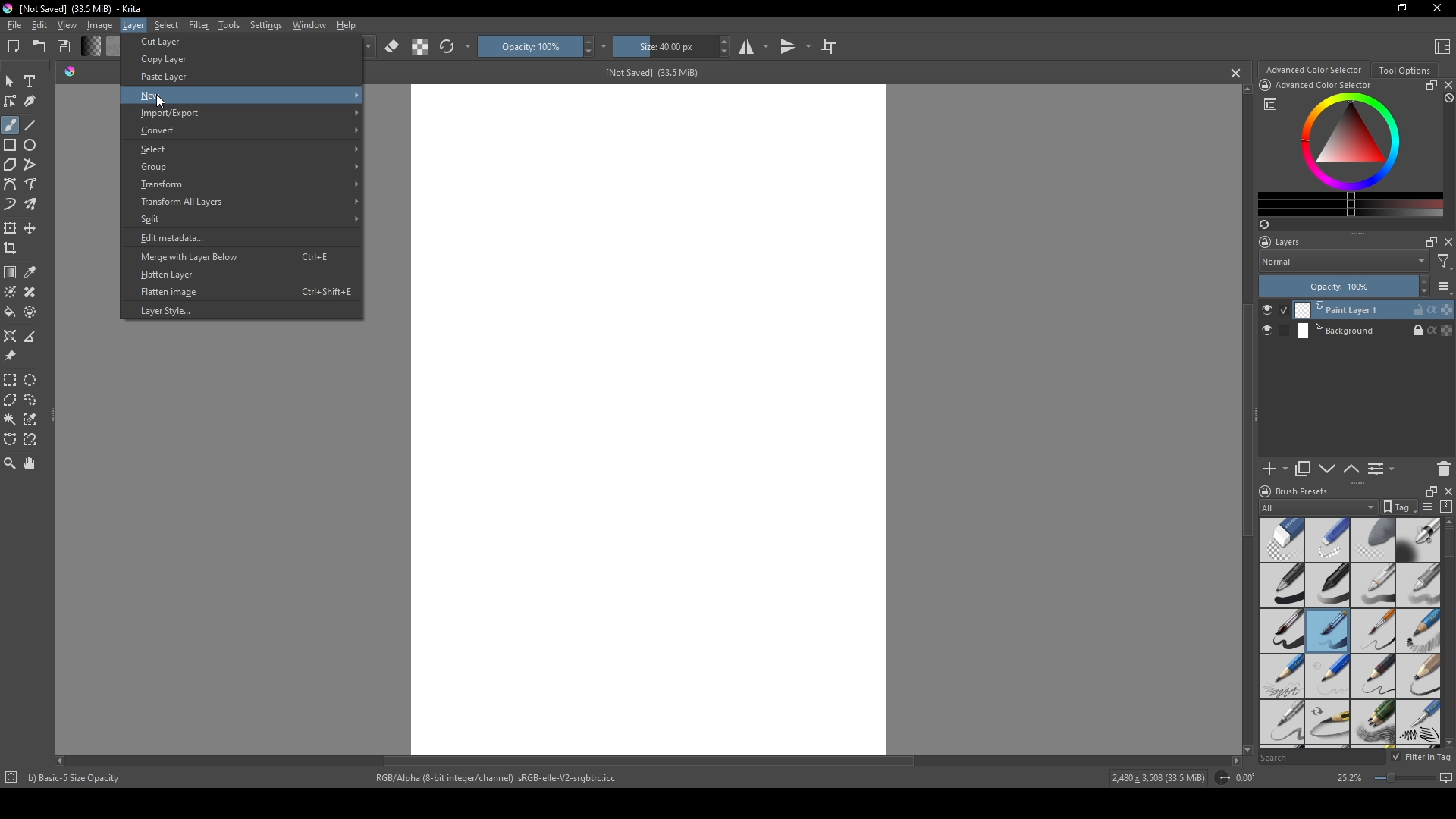 The width and height of the screenshot is (1456, 819). I want to click on icon, so click(10, 779).